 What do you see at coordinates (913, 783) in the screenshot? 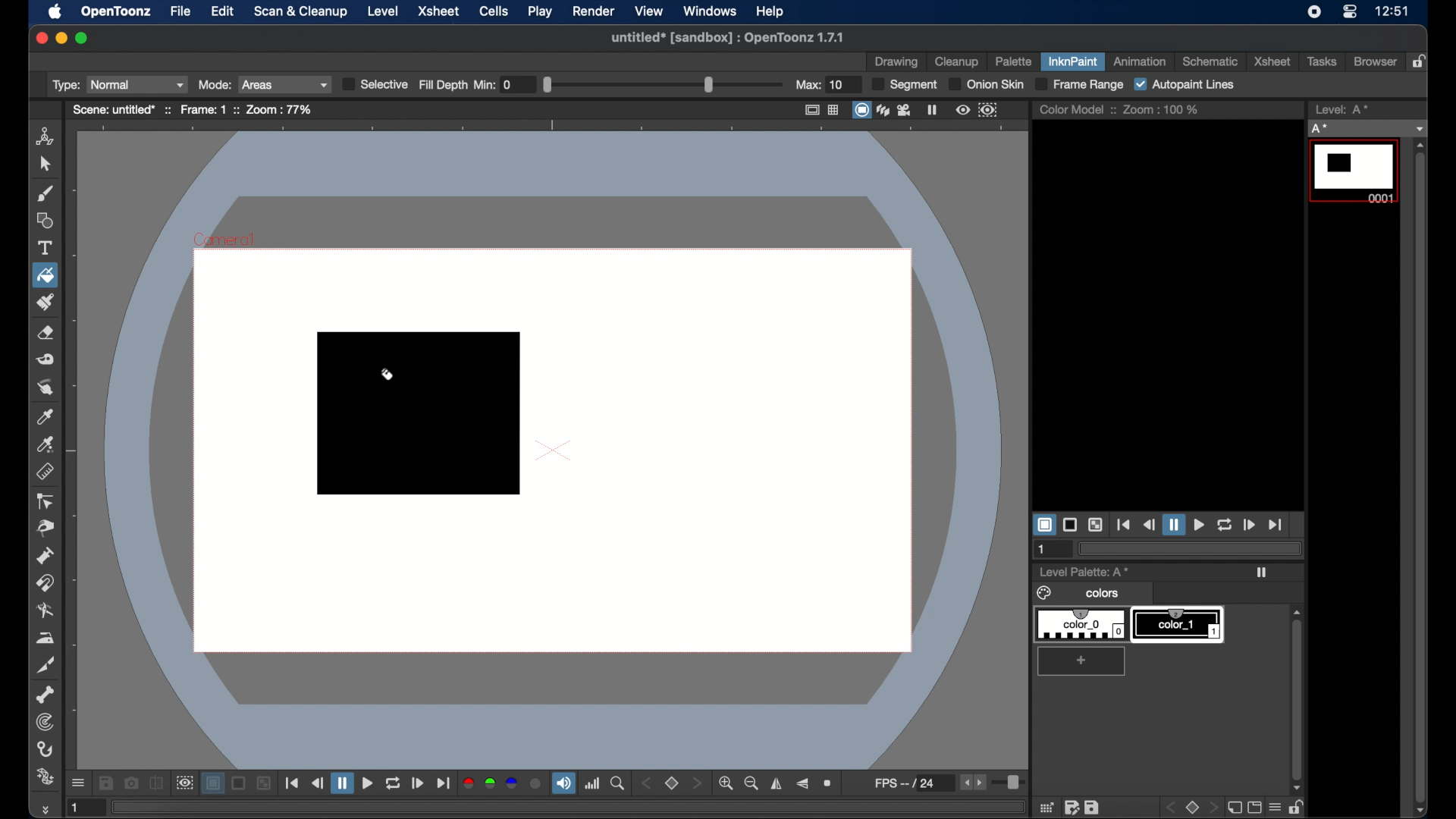
I see `fps` at bounding box center [913, 783].